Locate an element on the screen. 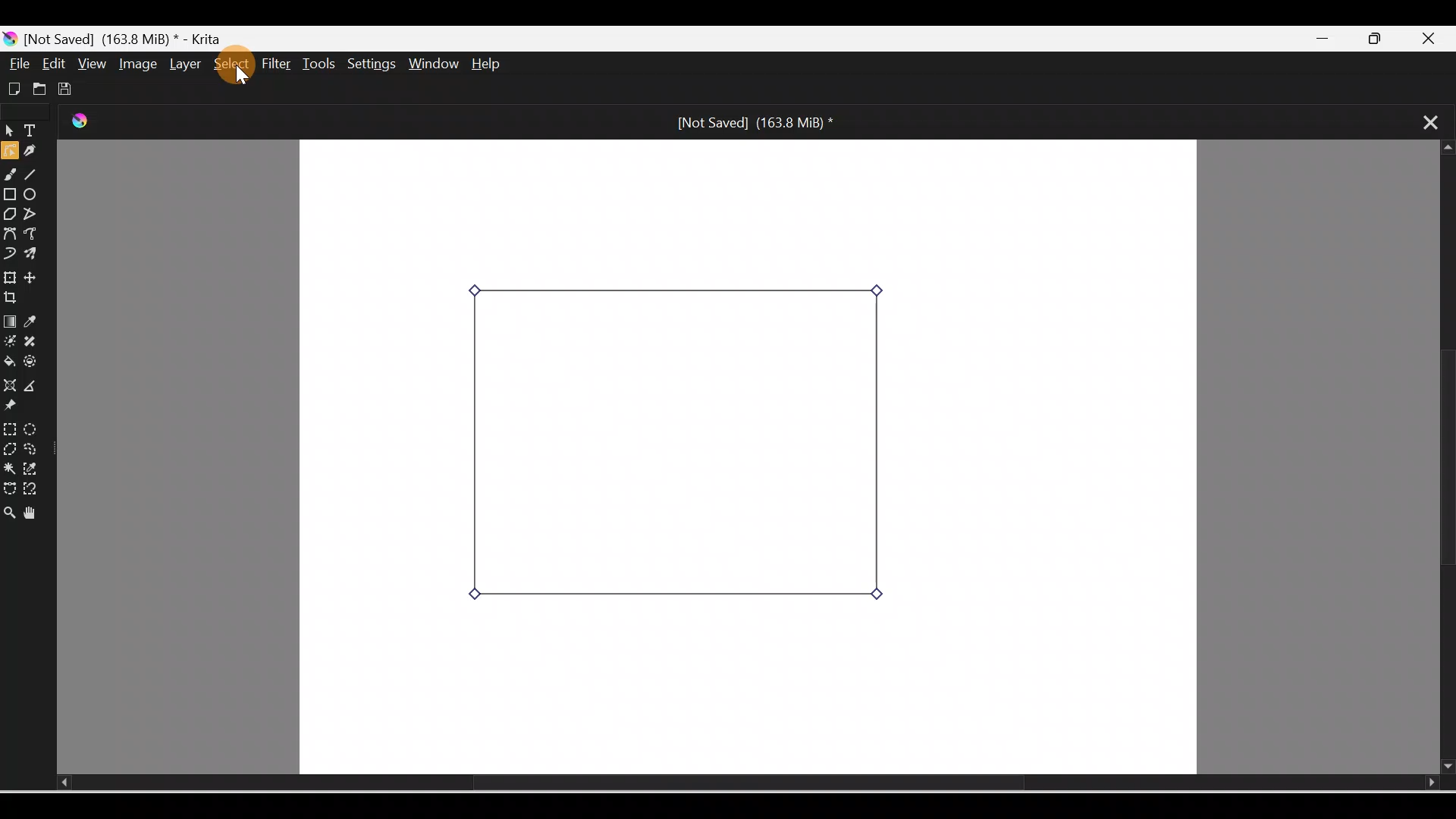 The width and height of the screenshot is (1456, 819). Transform a layer/selection is located at coordinates (10, 275).